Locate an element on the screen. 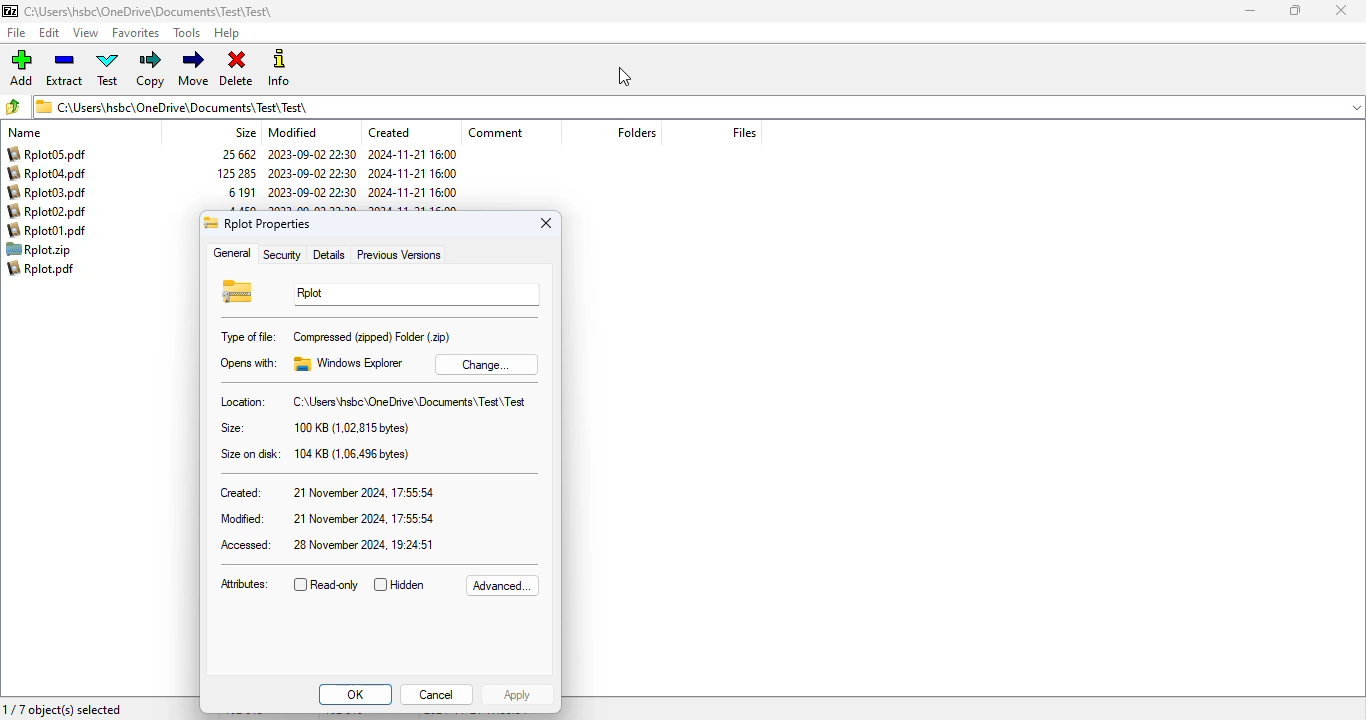 The width and height of the screenshot is (1366, 720). info is located at coordinates (278, 67).